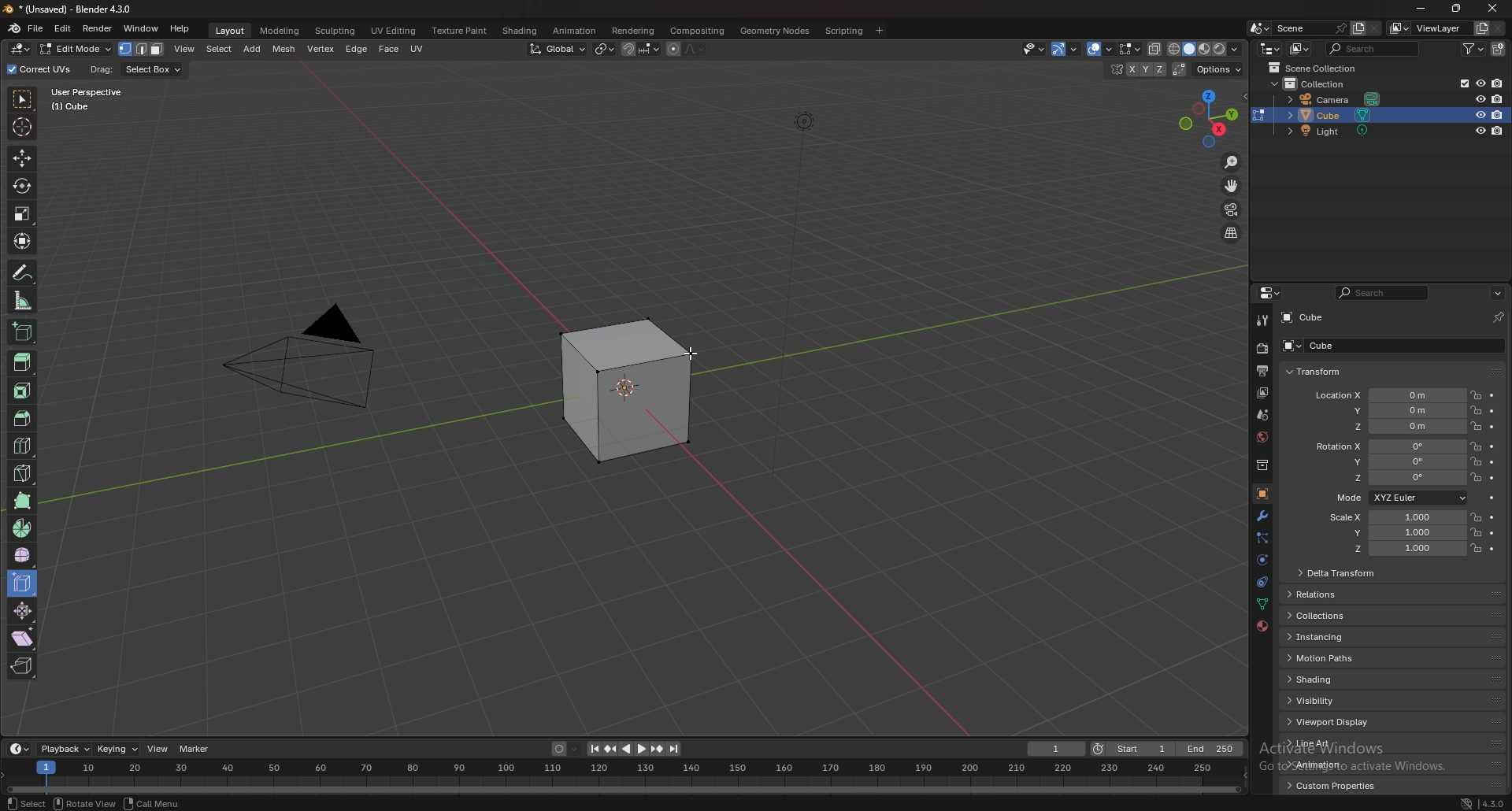 This screenshot has width=1512, height=811. I want to click on selectibility and visibility, so click(1058, 50).